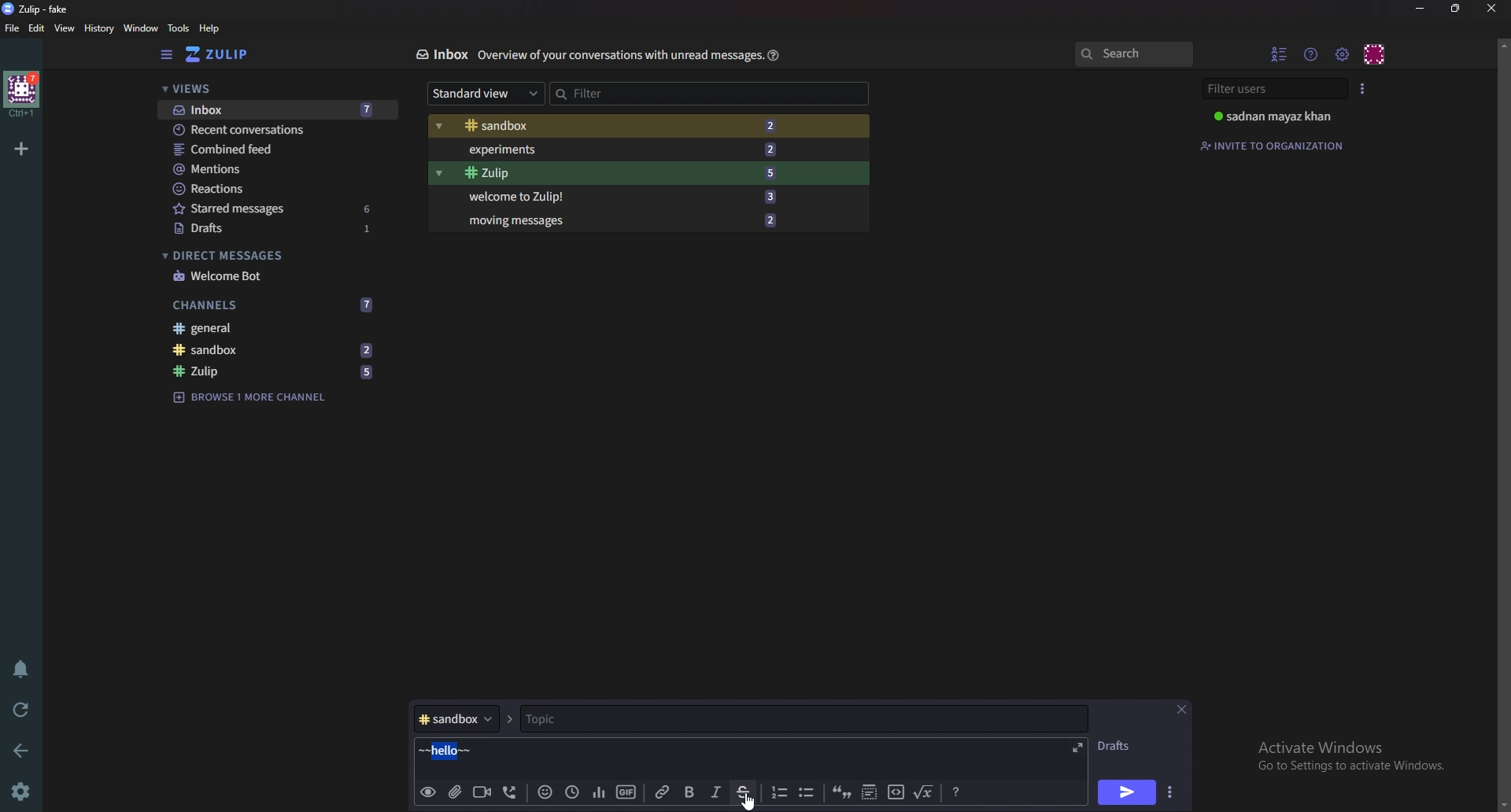 This screenshot has height=812, width=1511. What do you see at coordinates (1360, 88) in the screenshot?
I see `User list style` at bounding box center [1360, 88].